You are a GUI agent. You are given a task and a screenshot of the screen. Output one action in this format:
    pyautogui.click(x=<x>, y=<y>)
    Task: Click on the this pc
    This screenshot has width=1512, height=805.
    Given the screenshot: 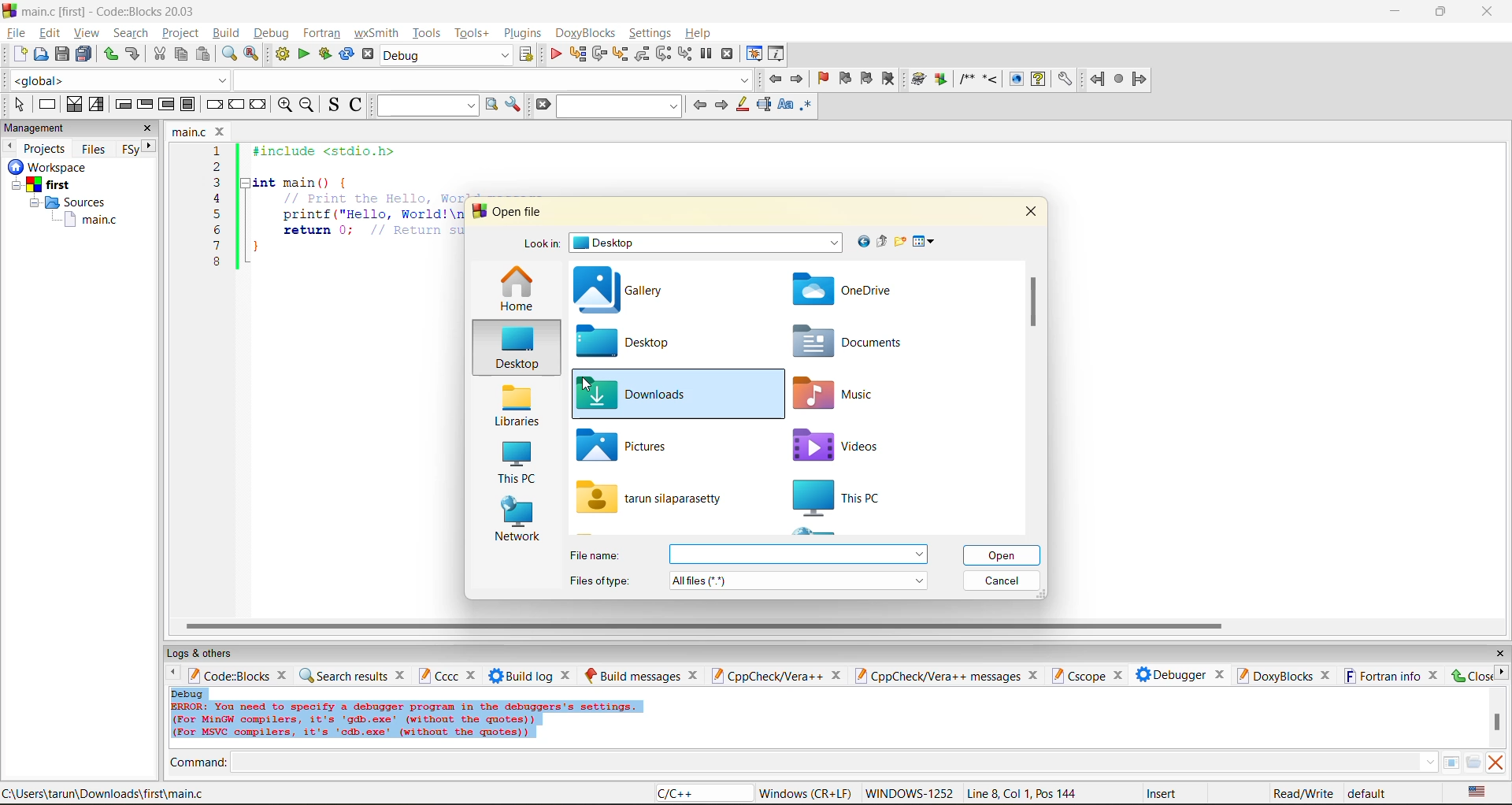 What is the action you would take?
    pyautogui.click(x=515, y=465)
    